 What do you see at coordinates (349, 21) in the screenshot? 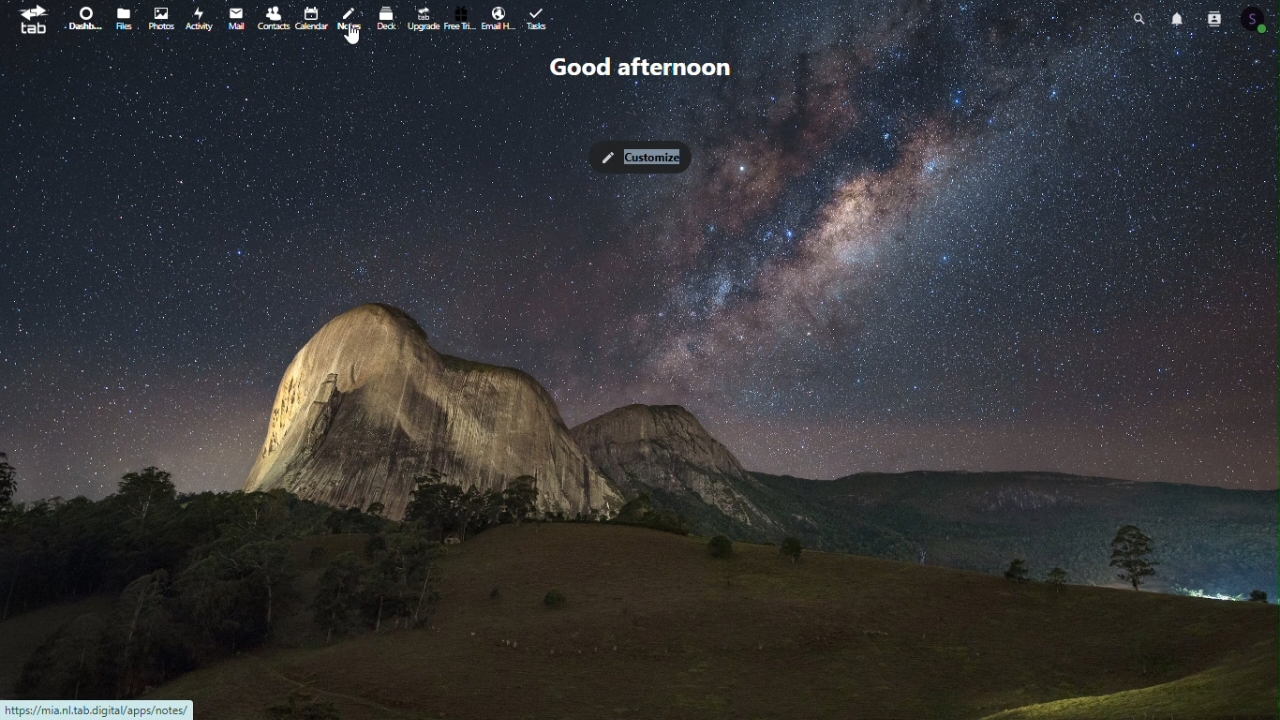
I see `Notes` at bounding box center [349, 21].